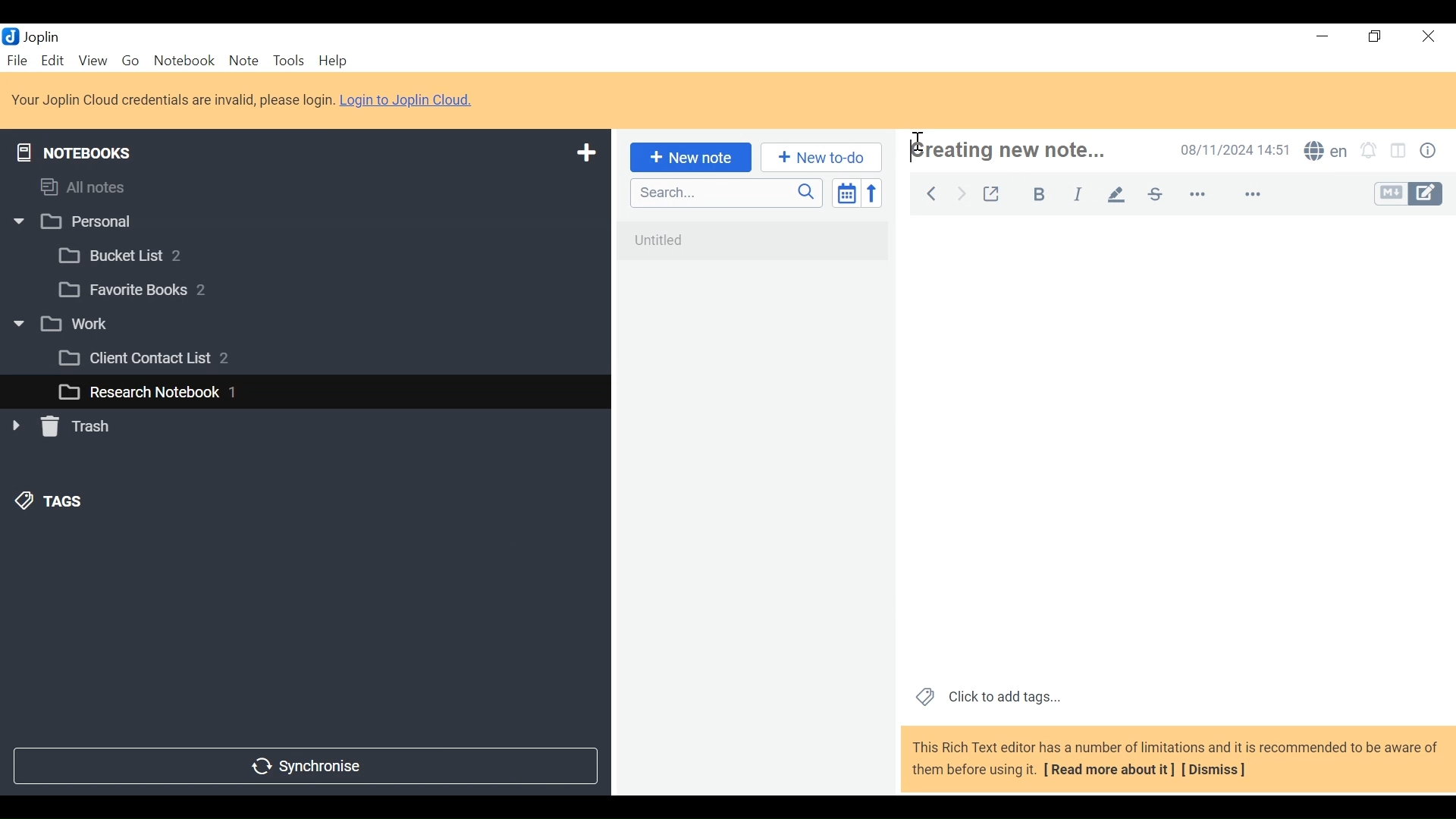 This screenshot has height=819, width=1456. Describe the element at coordinates (688, 156) in the screenshot. I see `New note` at that location.